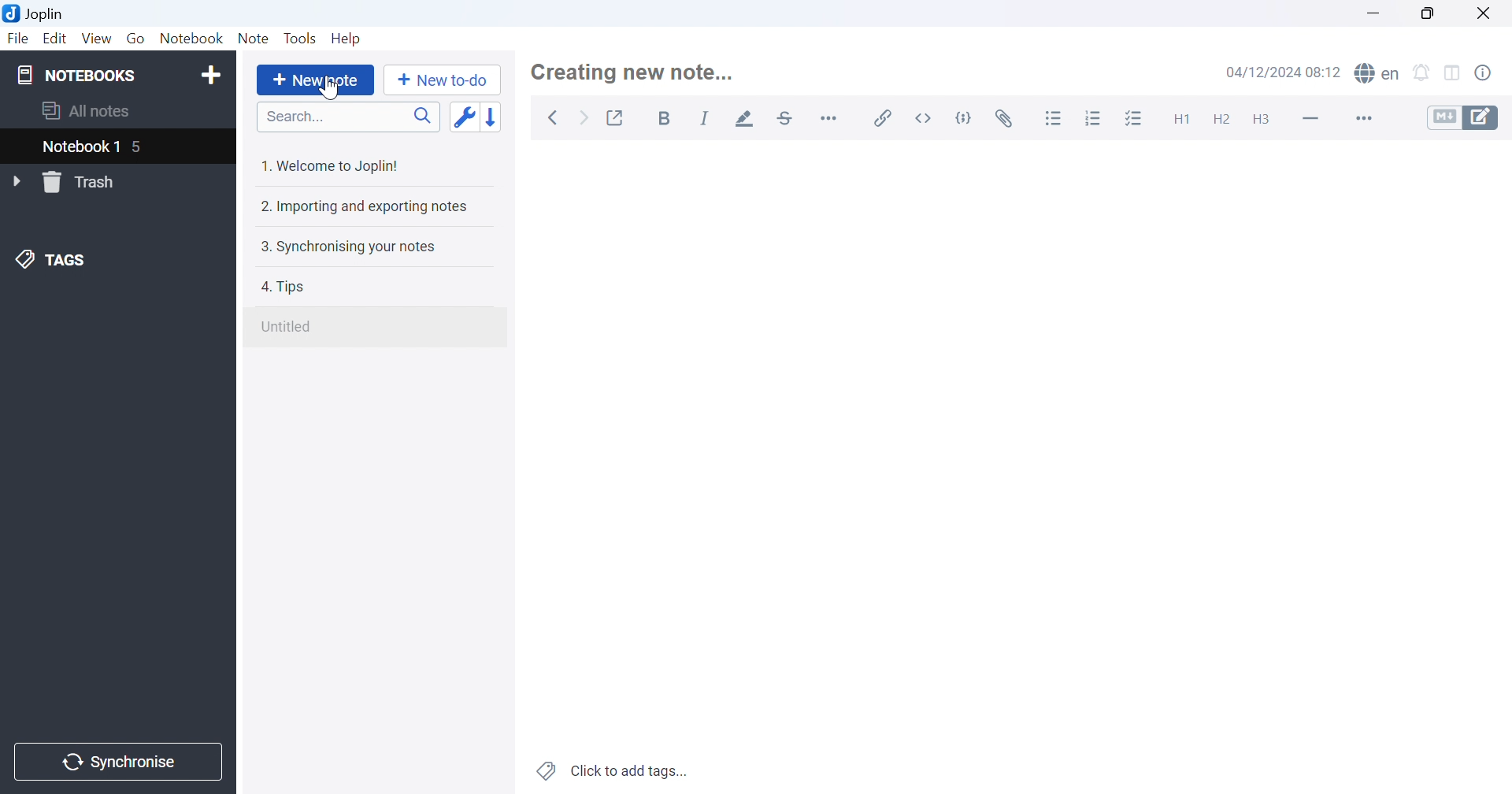  Describe the element at coordinates (324, 88) in the screenshot. I see `Cursor` at that location.